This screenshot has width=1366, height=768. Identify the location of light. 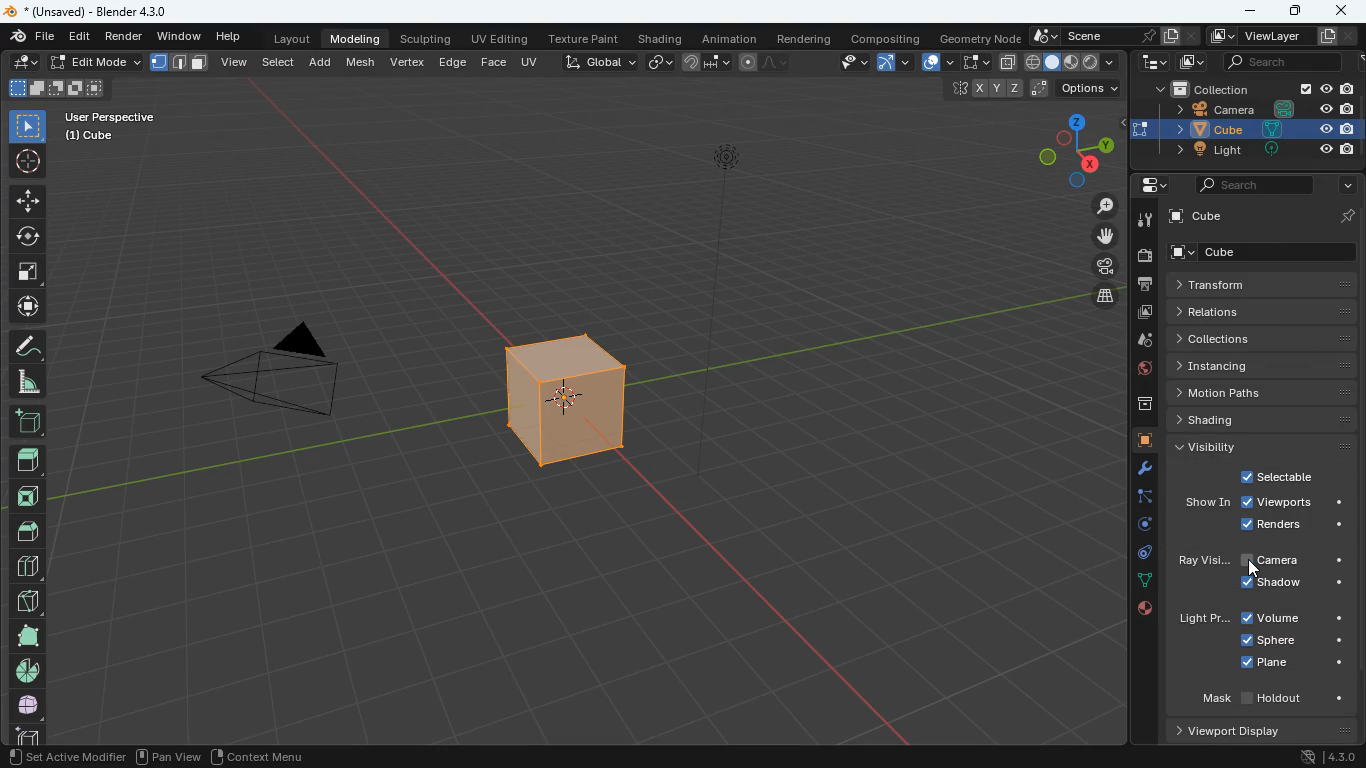
(750, 267).